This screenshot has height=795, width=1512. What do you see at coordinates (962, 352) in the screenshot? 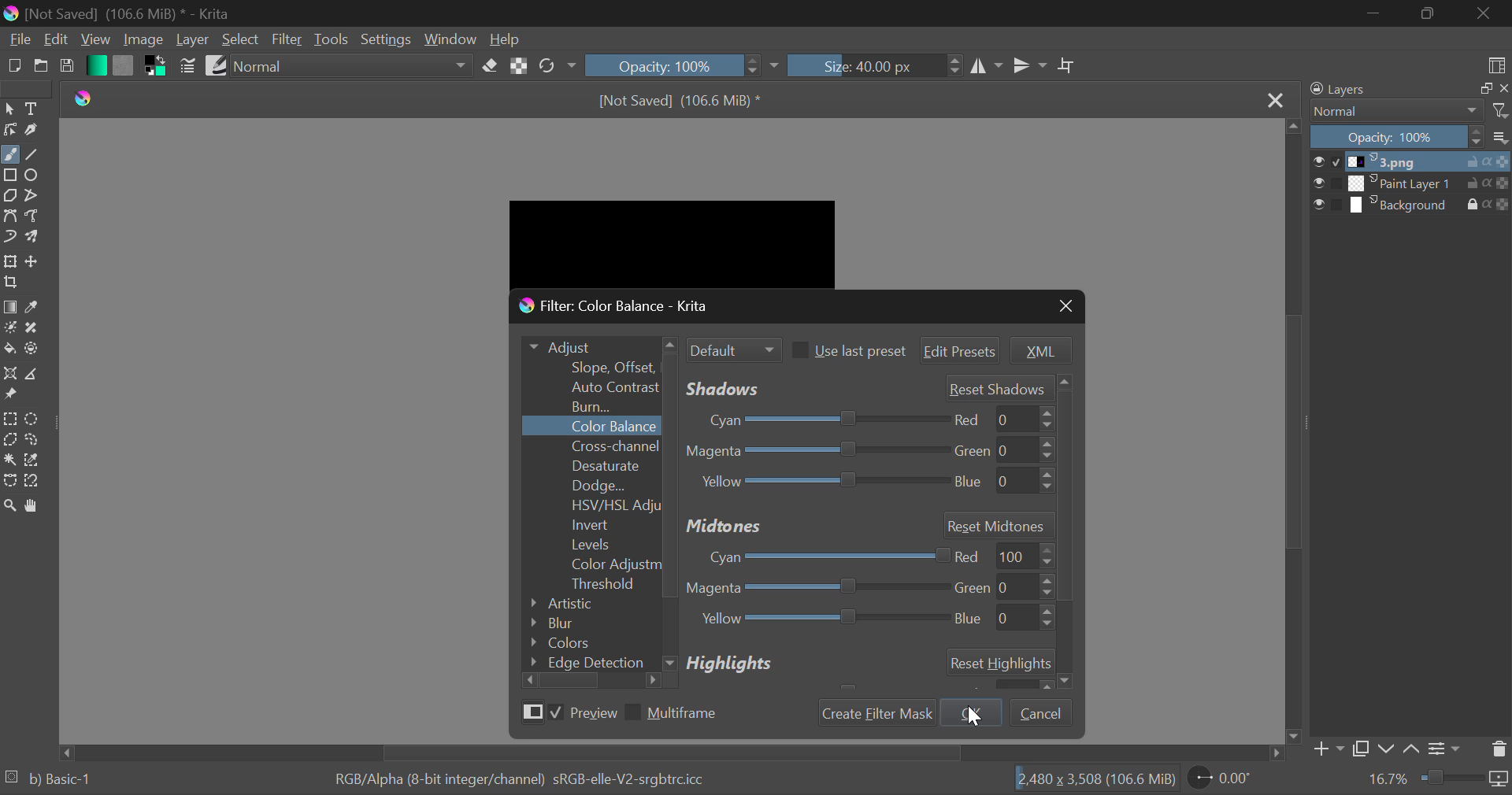
I see `Edit Presets` at bounding box center [962, 352].